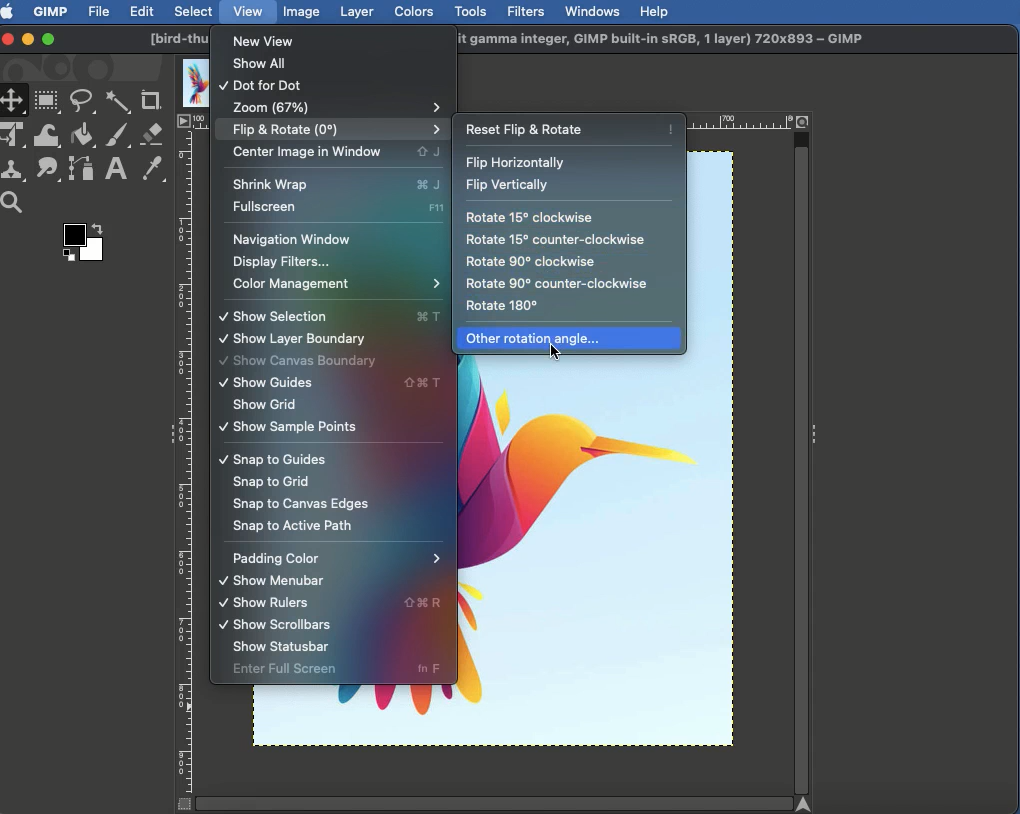 This screenshot has width=1020, height=814. I want to click on Other rotation angle , so click(533, 340).